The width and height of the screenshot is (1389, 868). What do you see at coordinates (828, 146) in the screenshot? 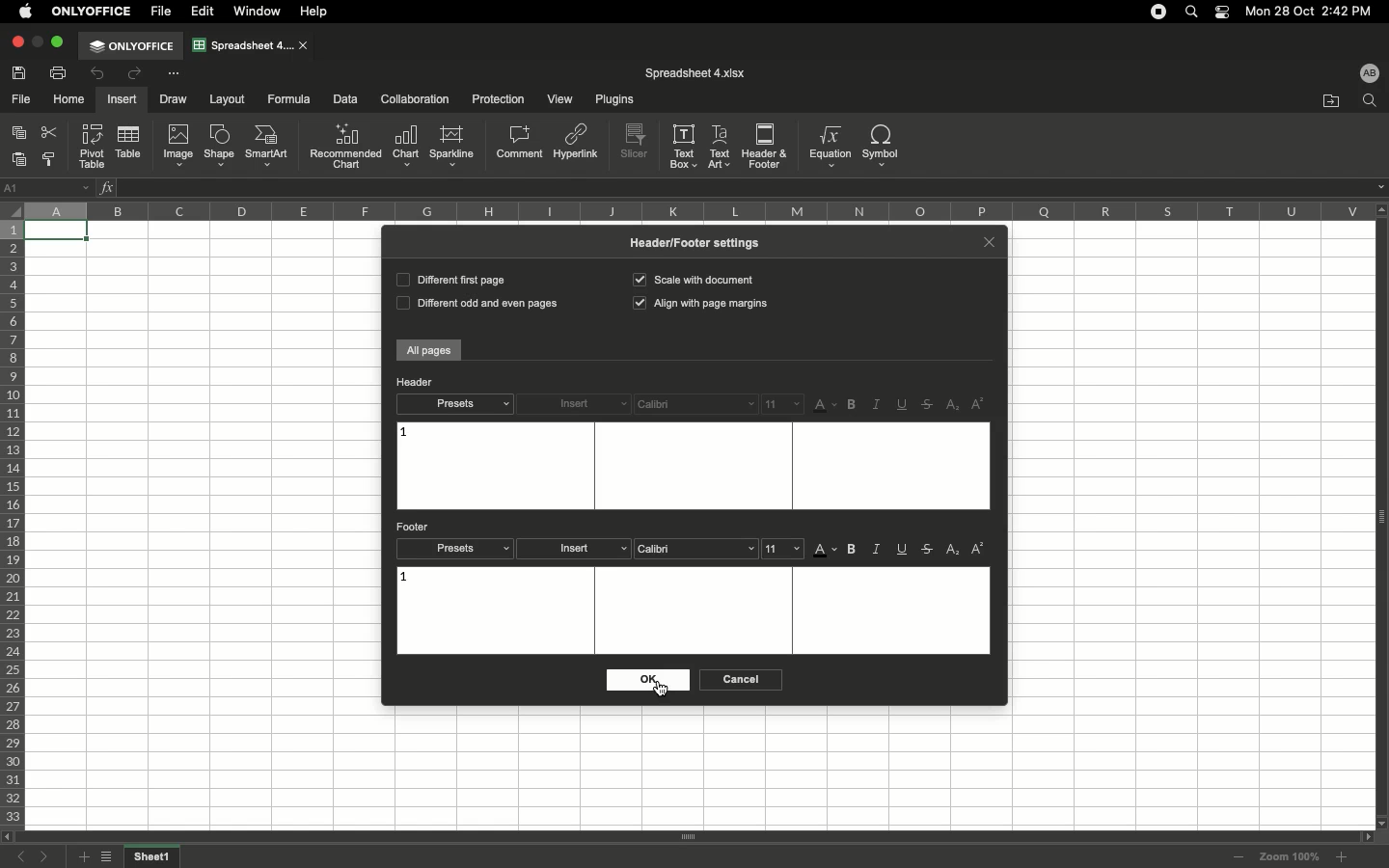
I see `Equation` at bounding box center [828, 146].